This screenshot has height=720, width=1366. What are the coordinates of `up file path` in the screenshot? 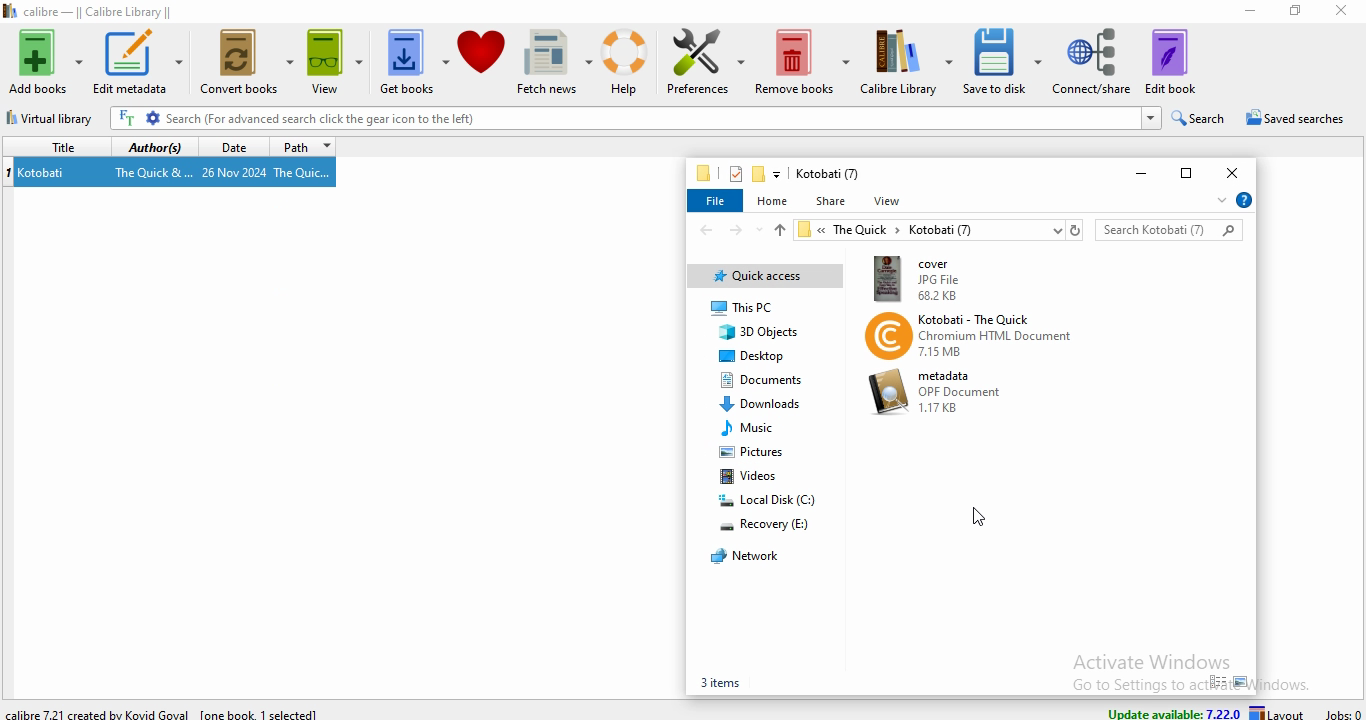 It's located at (778, 230).